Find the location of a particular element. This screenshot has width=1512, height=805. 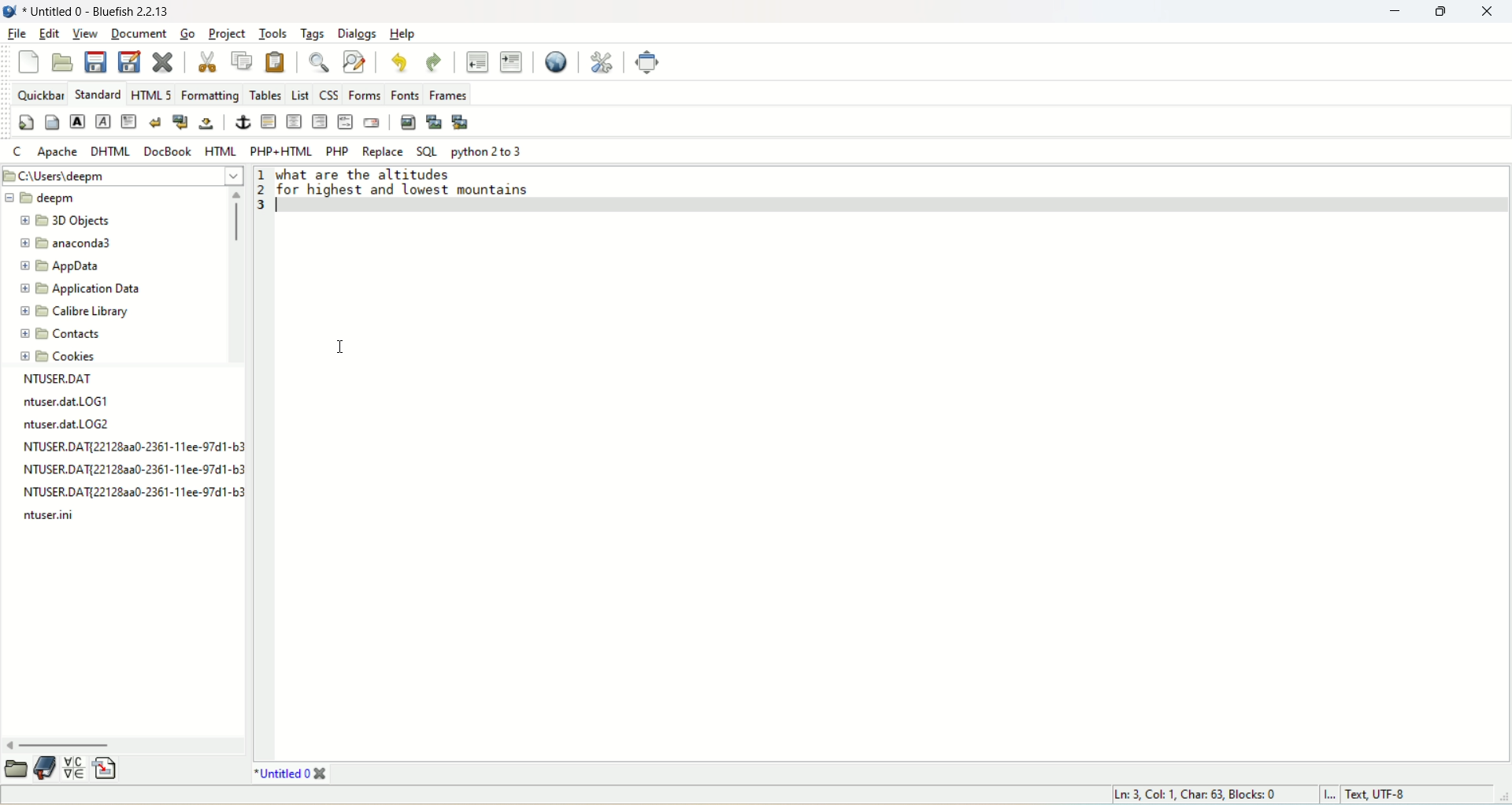

tags is located at coordinates (315, 34).